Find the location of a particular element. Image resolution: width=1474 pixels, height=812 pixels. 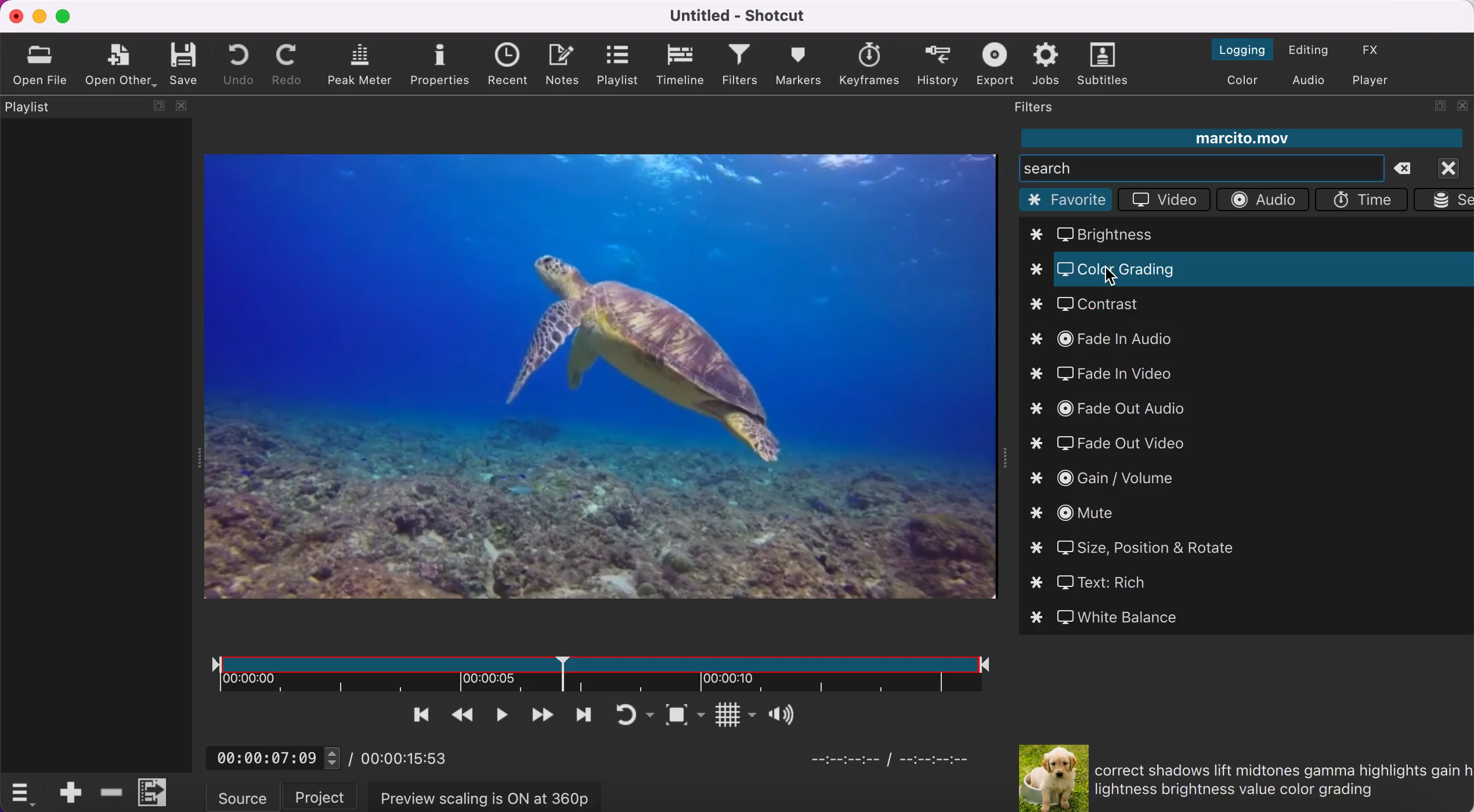

close is located at coordinates (1454, 167).